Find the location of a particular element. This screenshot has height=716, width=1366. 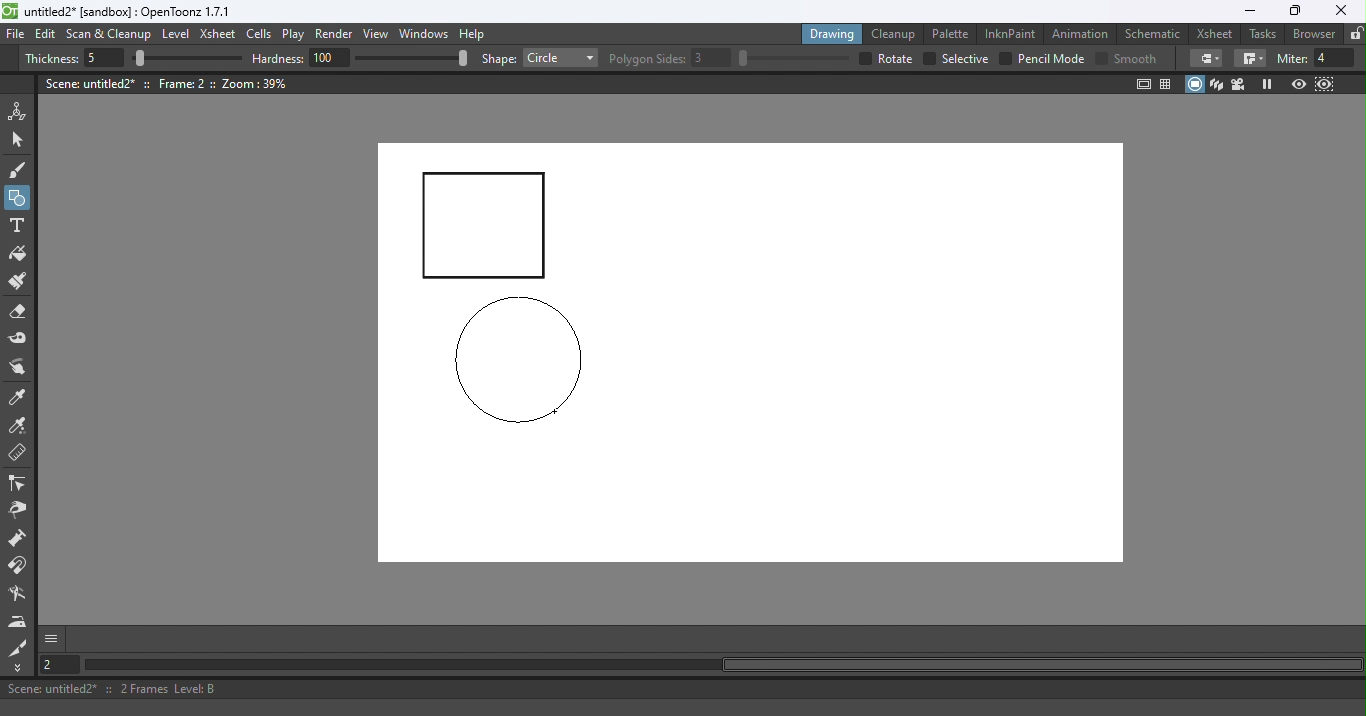

Minimize is located at coordinates (1249, 11).